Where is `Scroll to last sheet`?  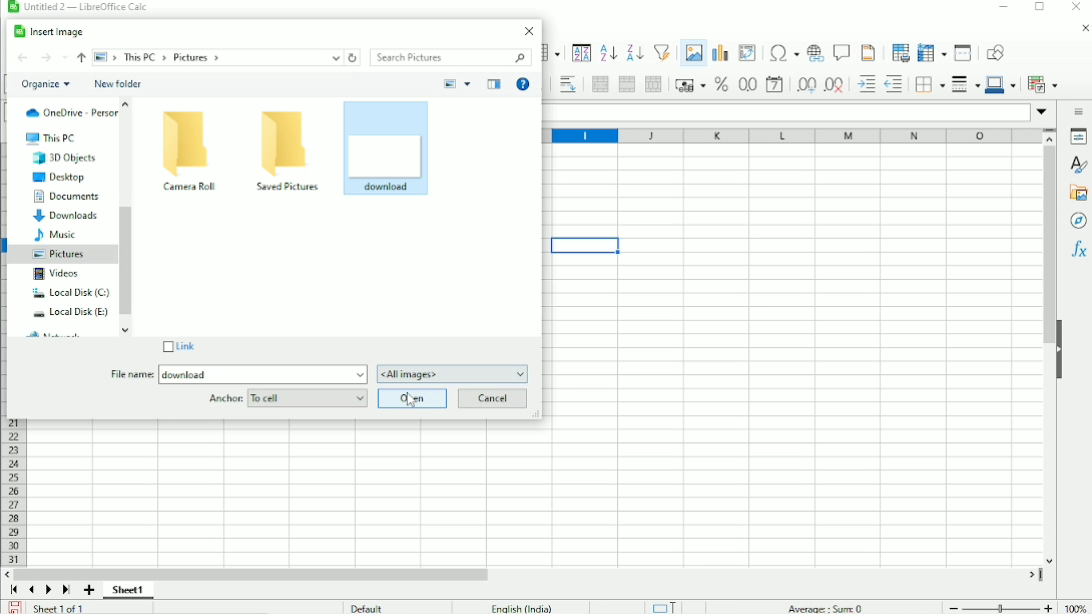
Scroll to last sheet is located at coordinates (67, 590).